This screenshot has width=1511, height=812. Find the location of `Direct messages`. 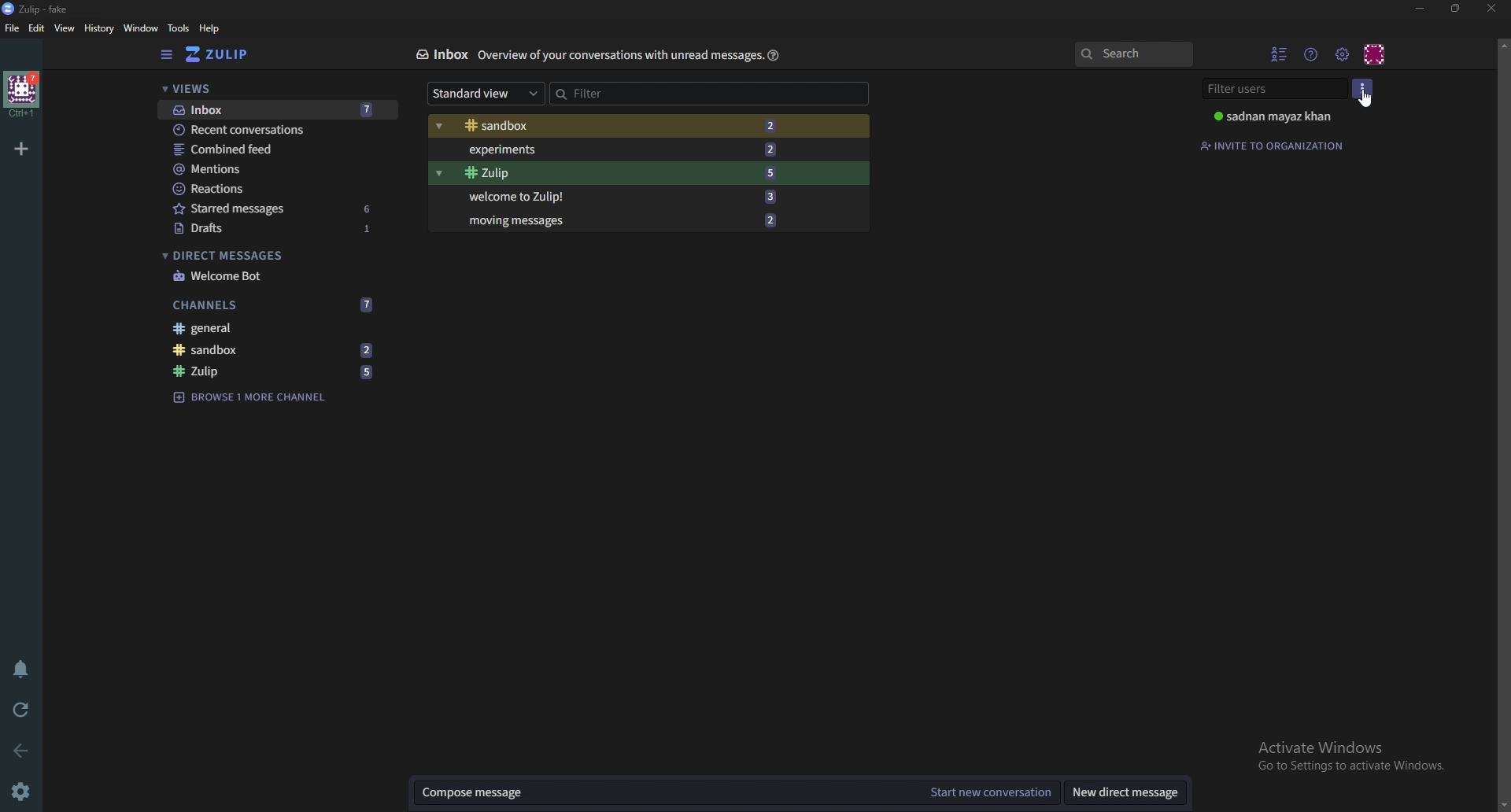

Direct messages is located at coordinates (270, 254).